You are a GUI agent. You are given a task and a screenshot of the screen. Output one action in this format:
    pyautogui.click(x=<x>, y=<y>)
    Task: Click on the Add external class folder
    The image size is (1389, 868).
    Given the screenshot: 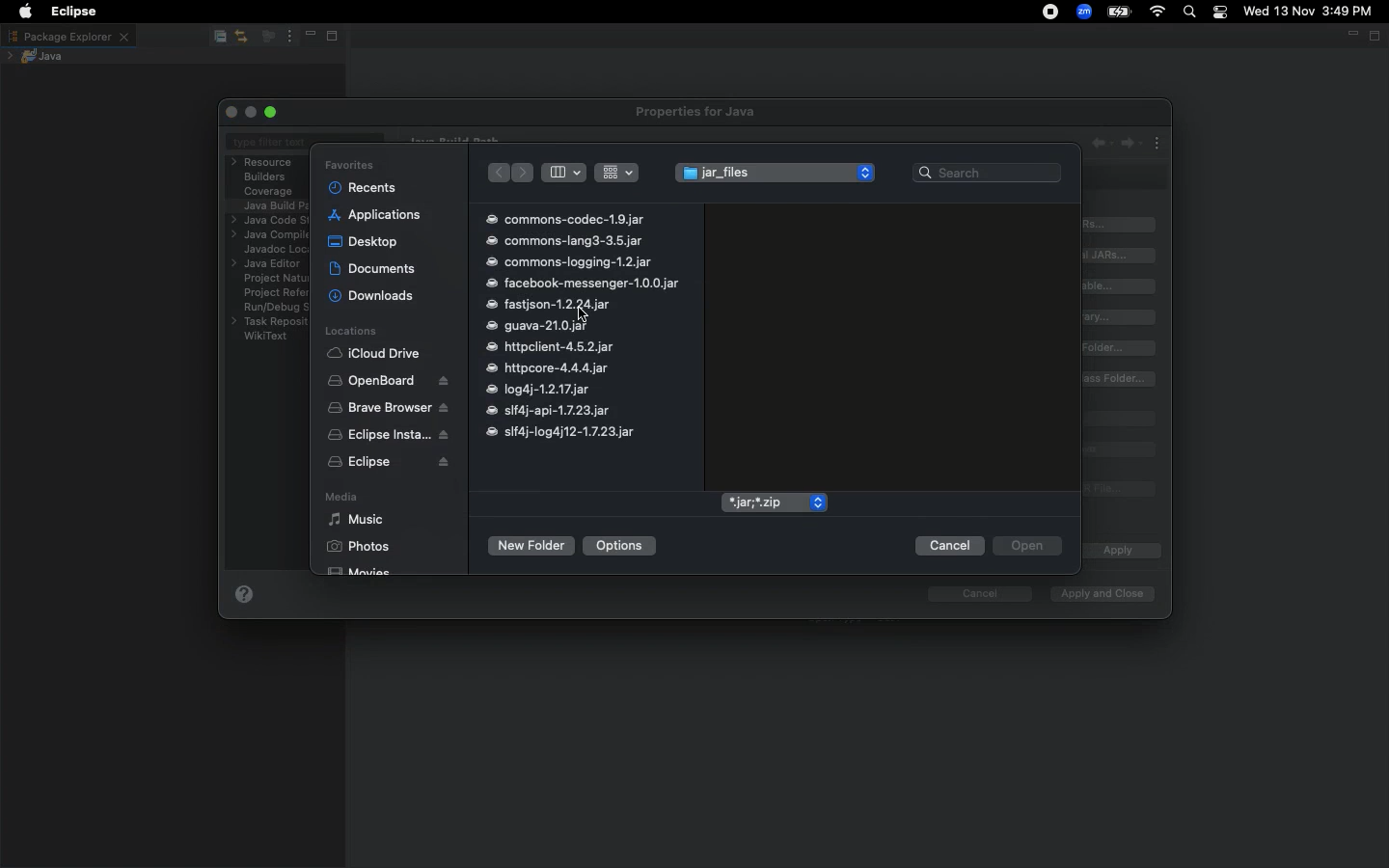 What is the action you would take?
    pyautogui.click(x=1120, y=379)
    